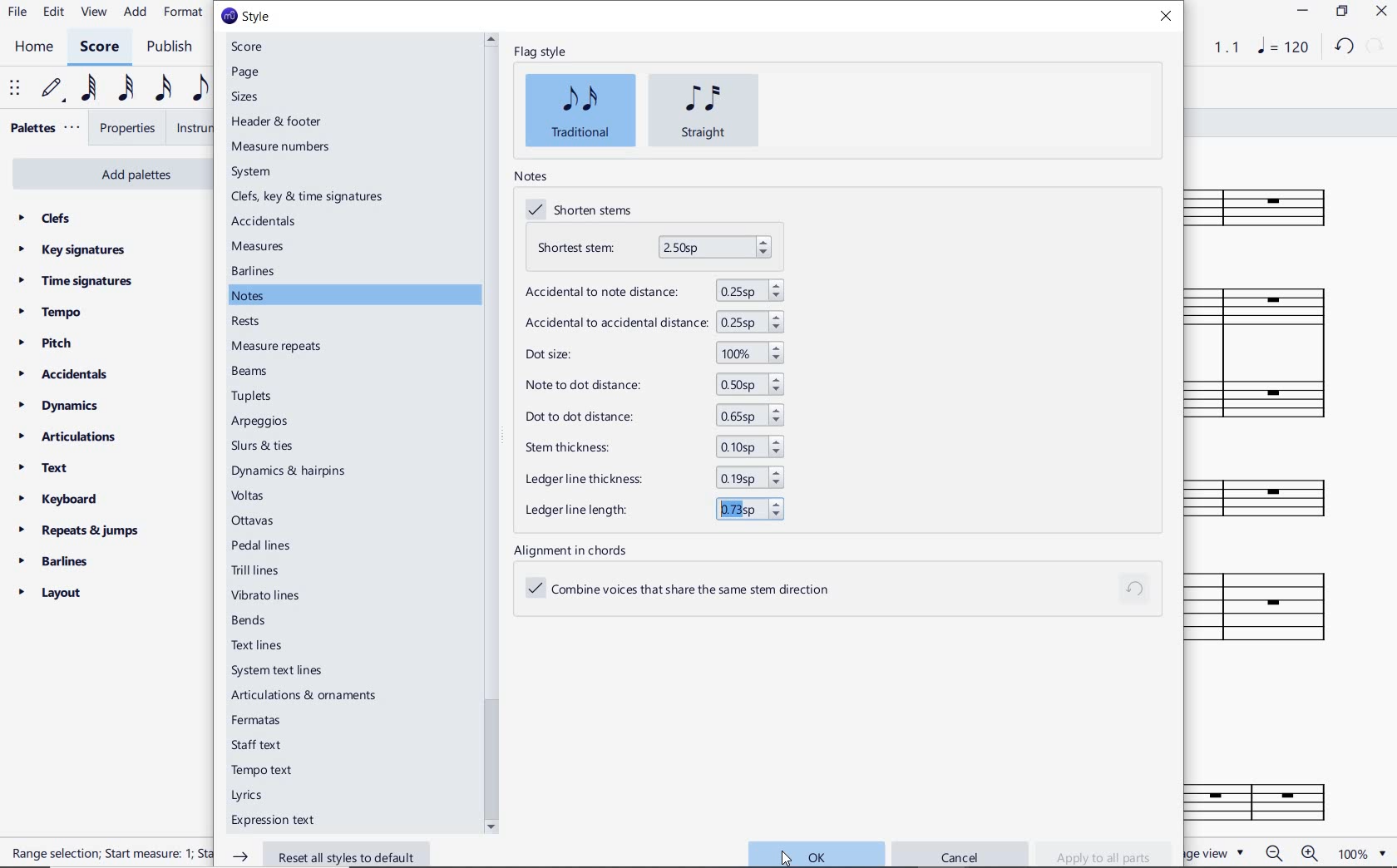 The height and width of the screenshot is (868, 1397). What do you see at coordinates (52, 560) in the screenshot?
I see `barlines` at bounding box center [52, 560].